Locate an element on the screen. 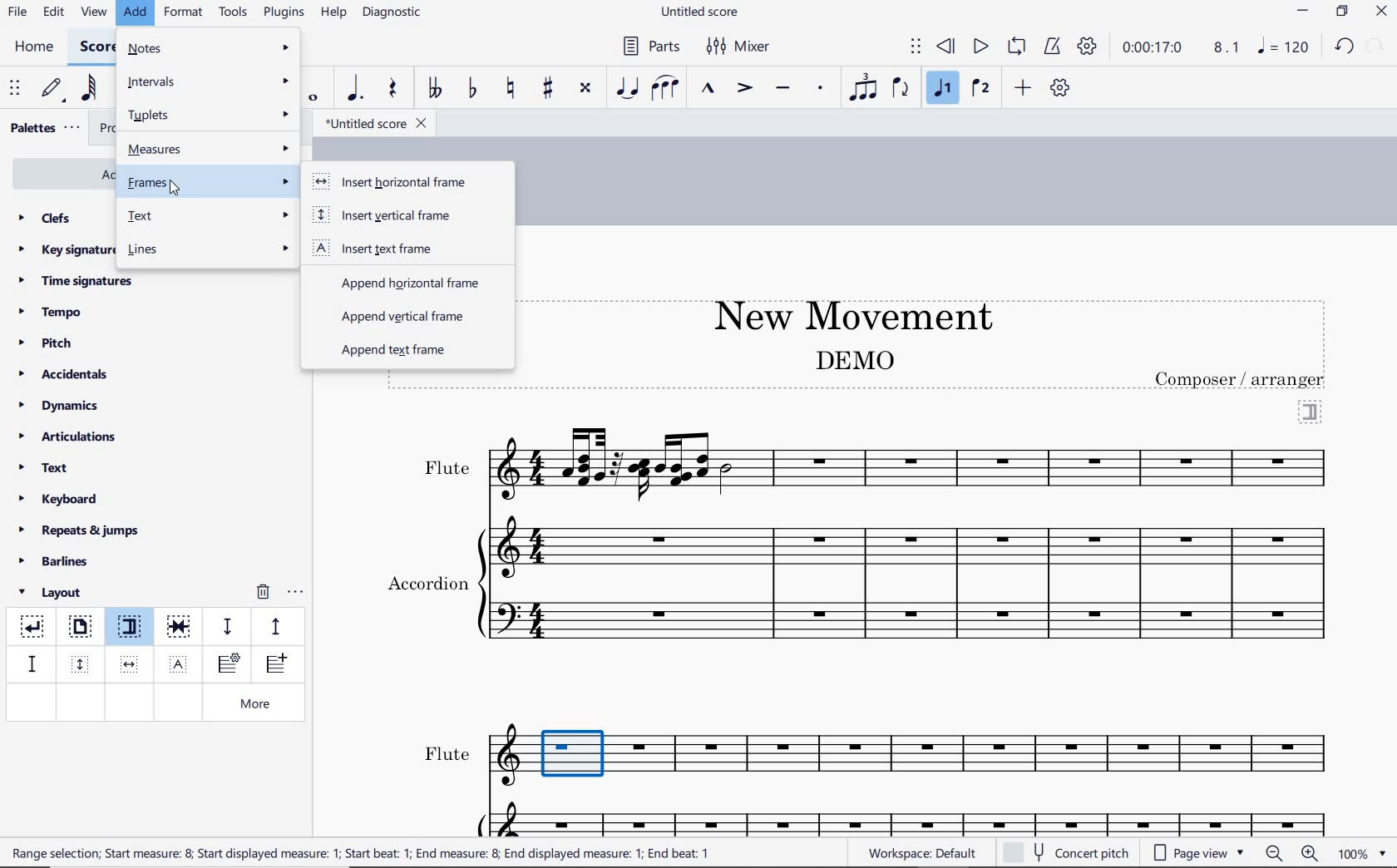 The width and height of the screenshot is (1397, 868). toggle double-sharp is located at coordinates (586, 88).